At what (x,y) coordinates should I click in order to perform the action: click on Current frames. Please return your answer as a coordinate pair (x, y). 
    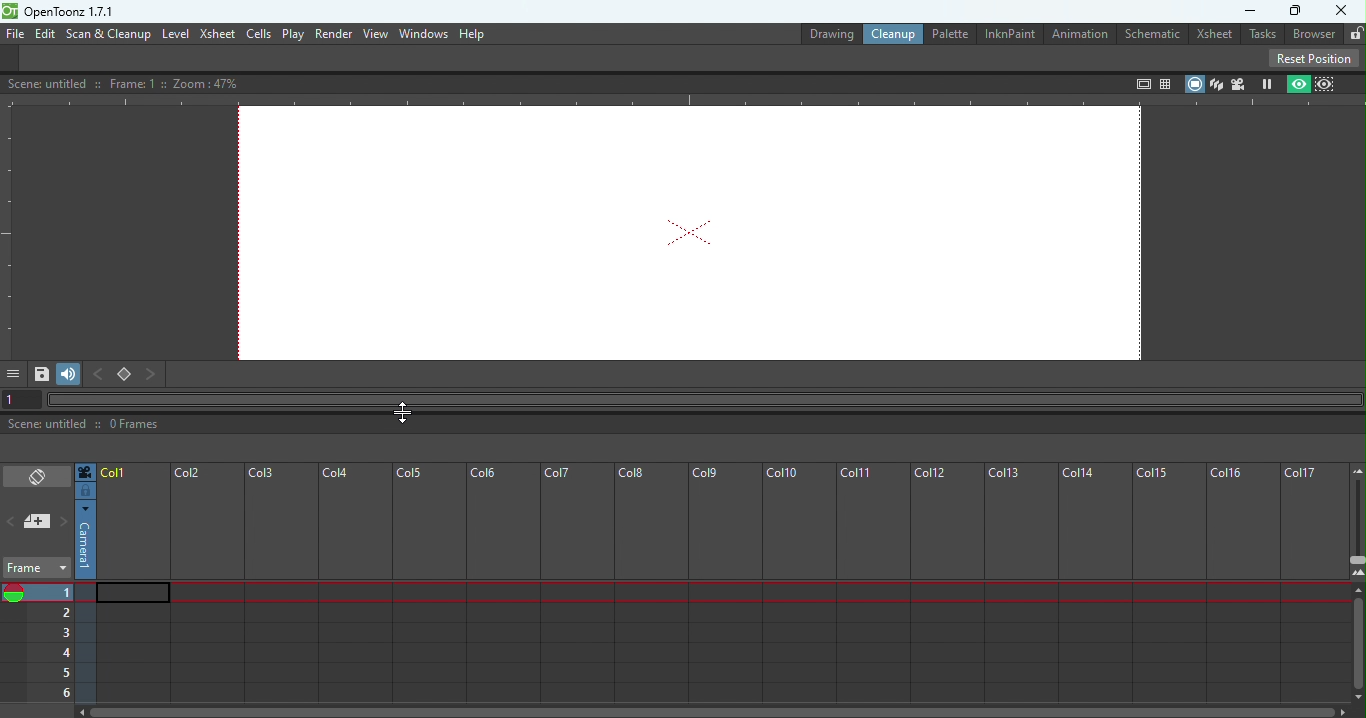
    Looking at the image, I should click on (38, 649).